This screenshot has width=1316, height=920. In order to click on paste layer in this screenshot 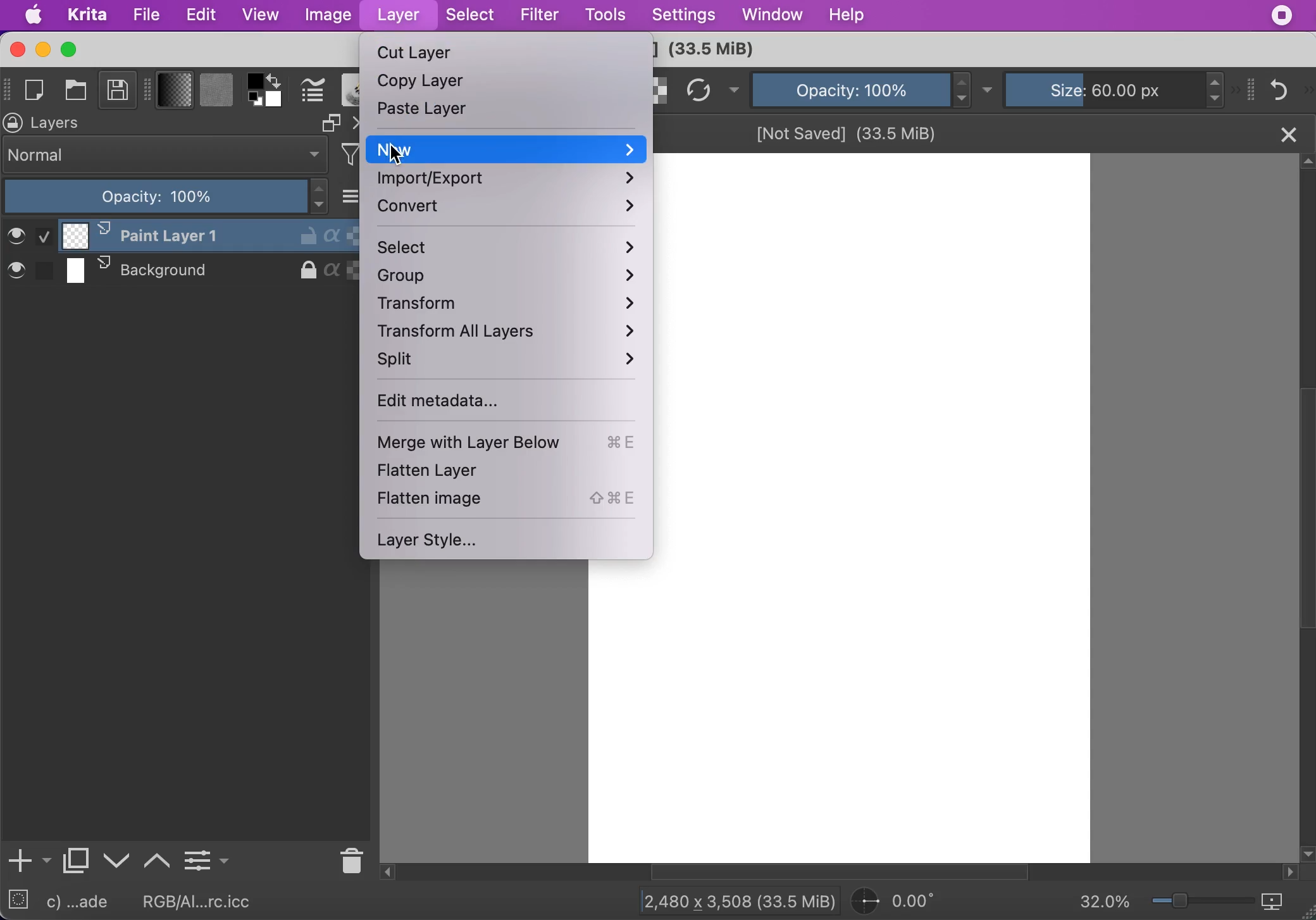, I will do `click(426, 112)`.